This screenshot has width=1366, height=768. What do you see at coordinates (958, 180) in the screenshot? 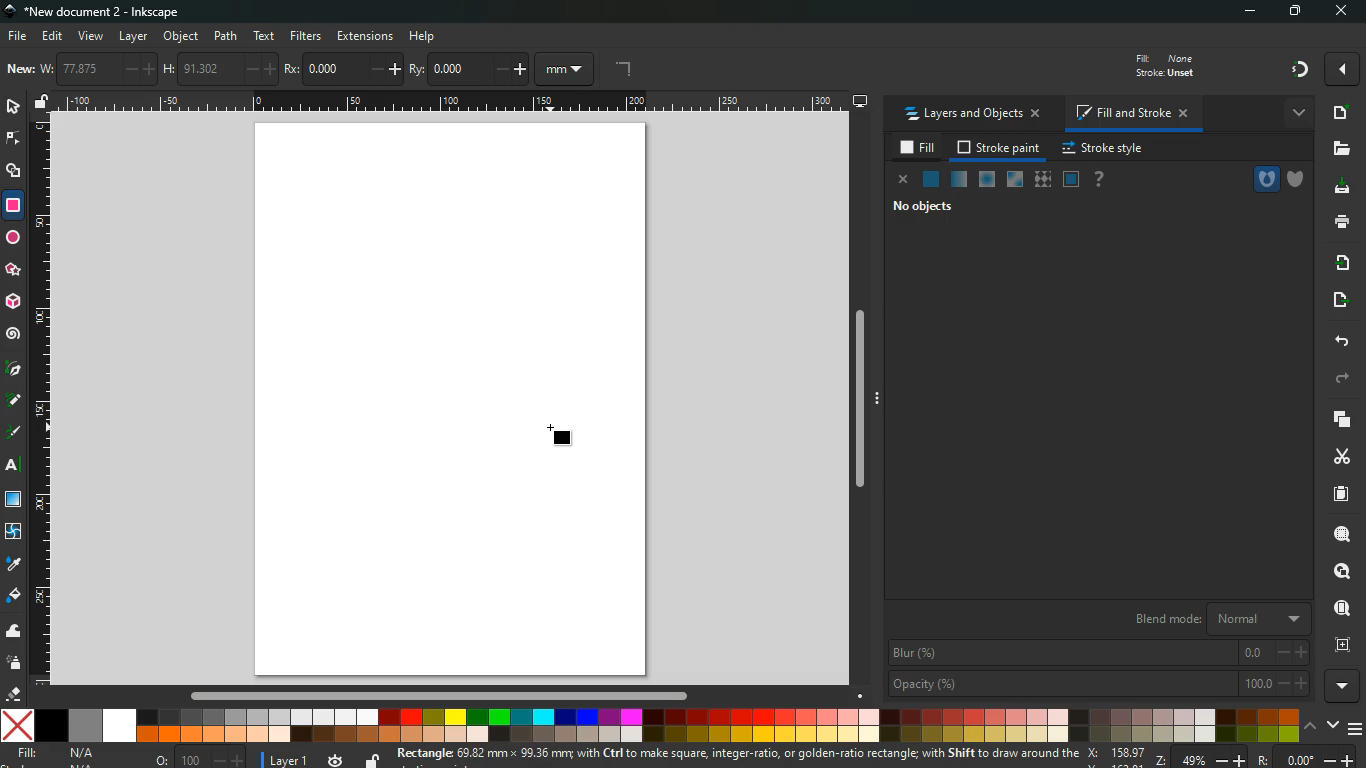
I see `opacity` at bounding box center [958, 180].